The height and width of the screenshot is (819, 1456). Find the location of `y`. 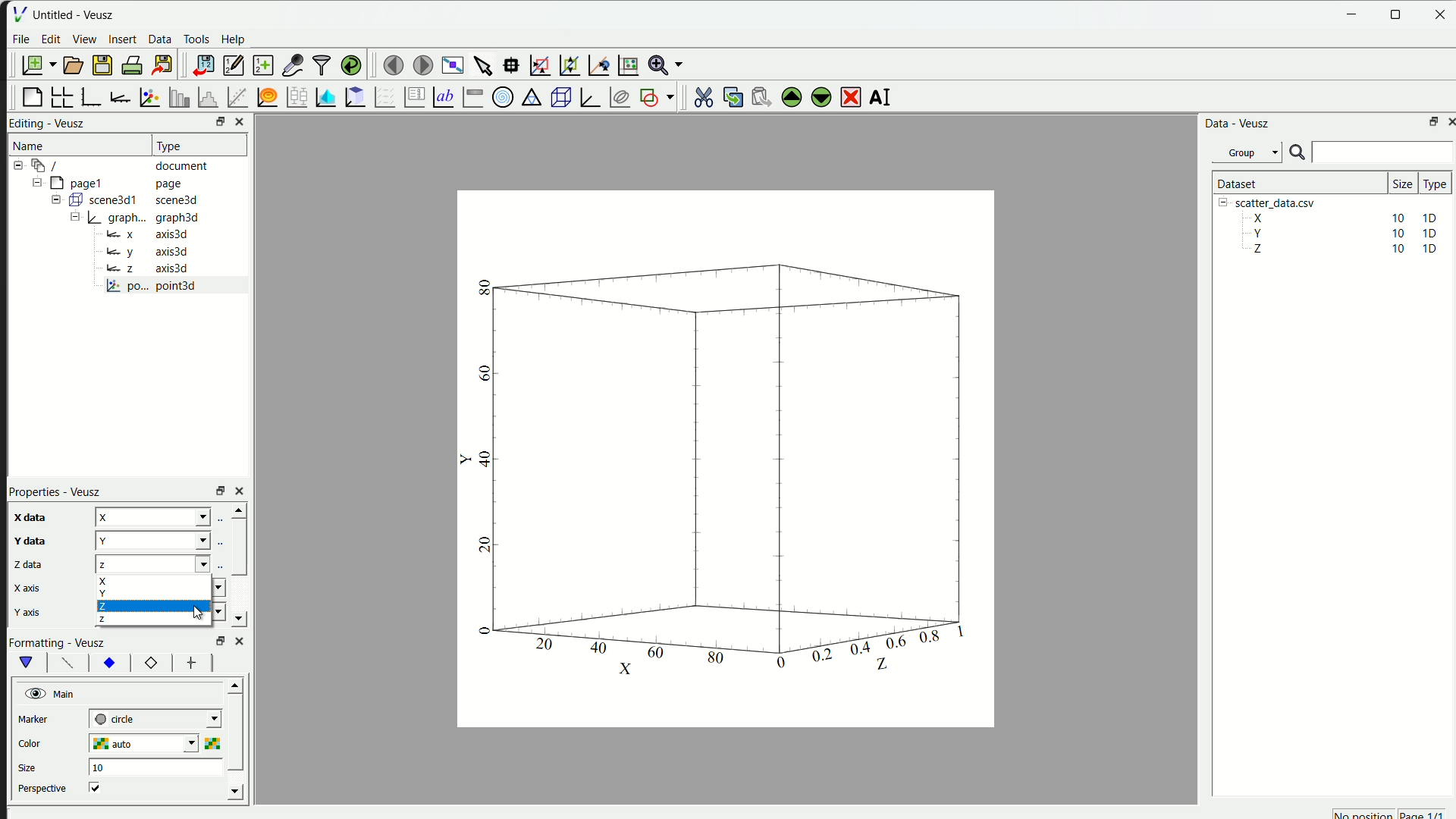

y is located at coordinates (168, 539).